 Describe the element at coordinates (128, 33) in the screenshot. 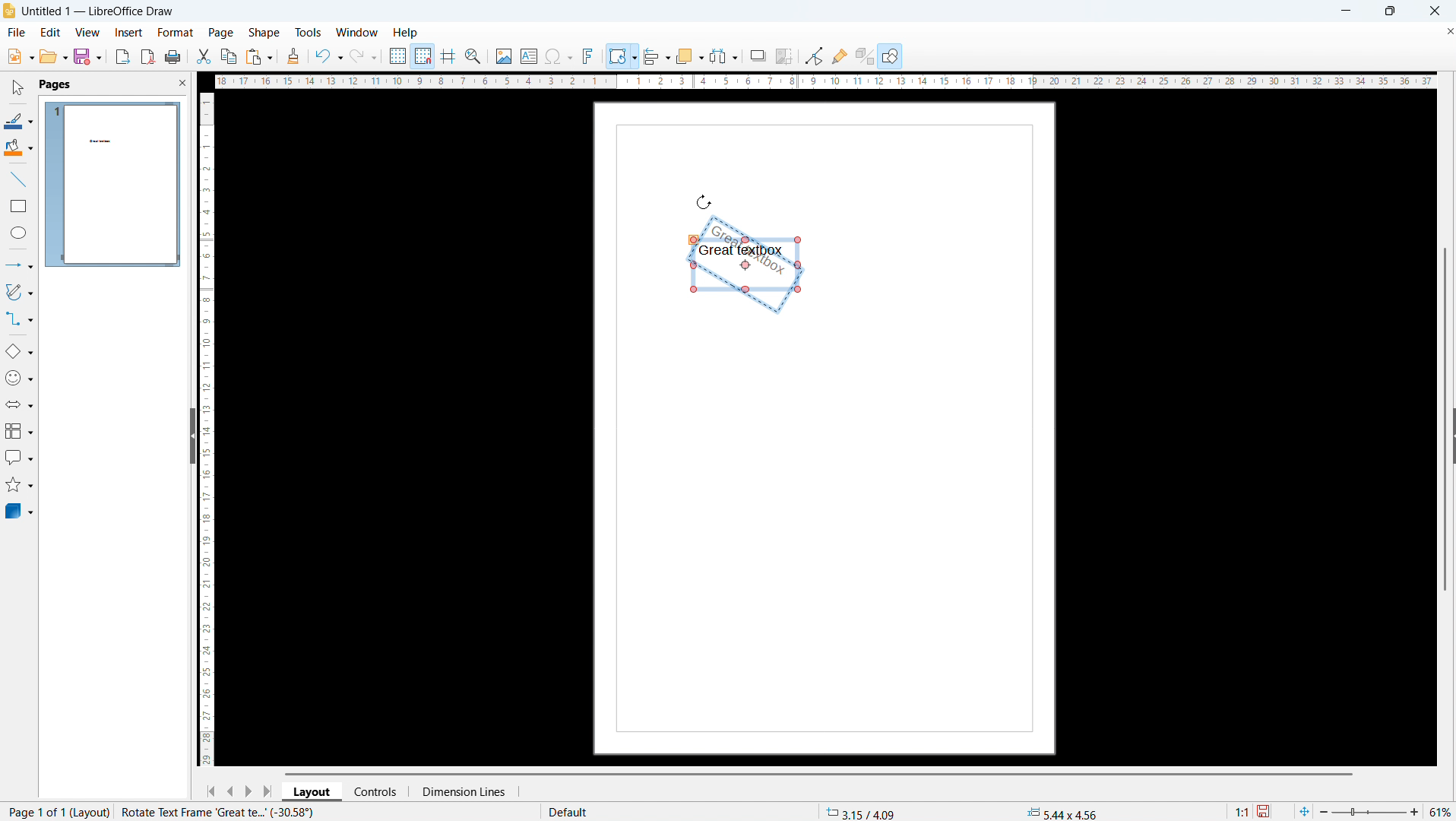

I see `insert` at that location.